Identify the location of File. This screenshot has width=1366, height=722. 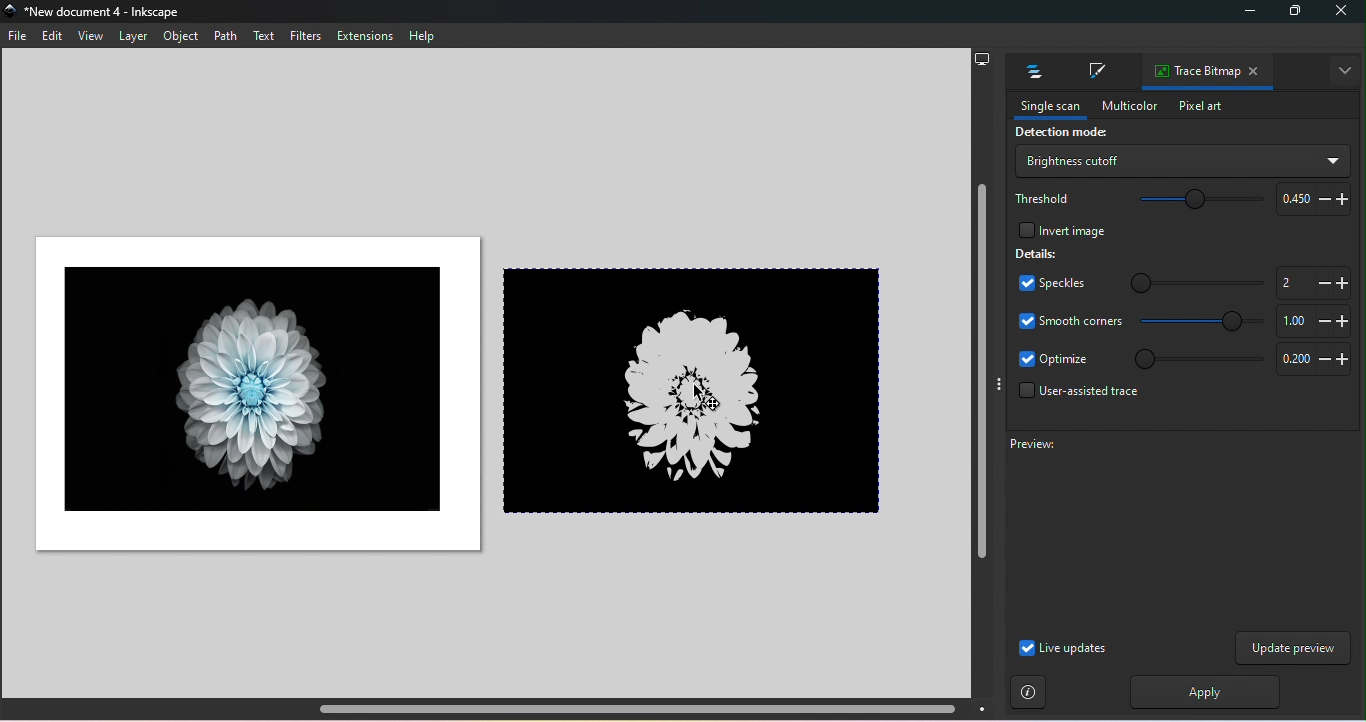
(20, 39).